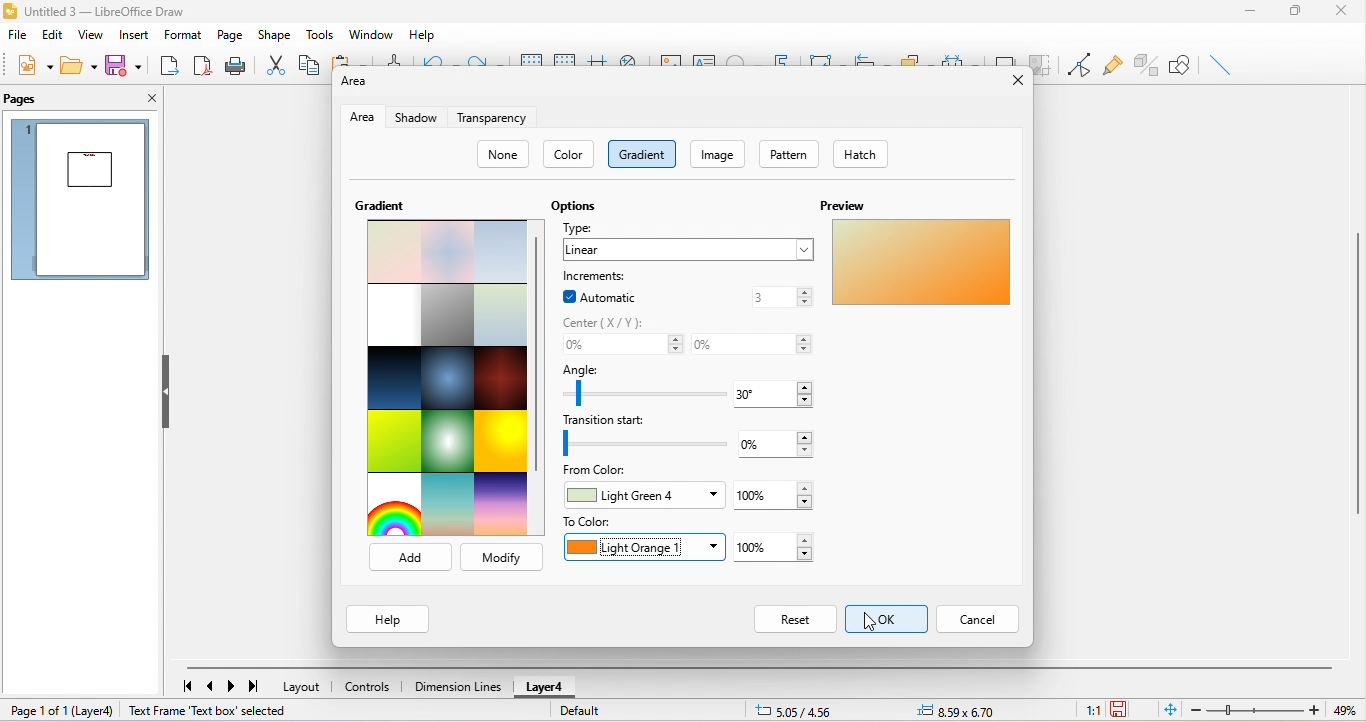 This screenshot has height=722, width=1366. What do you see at coordinates (567, 57) in the screenshot?
I see `snap to grids` at bounding box center [567, 57].